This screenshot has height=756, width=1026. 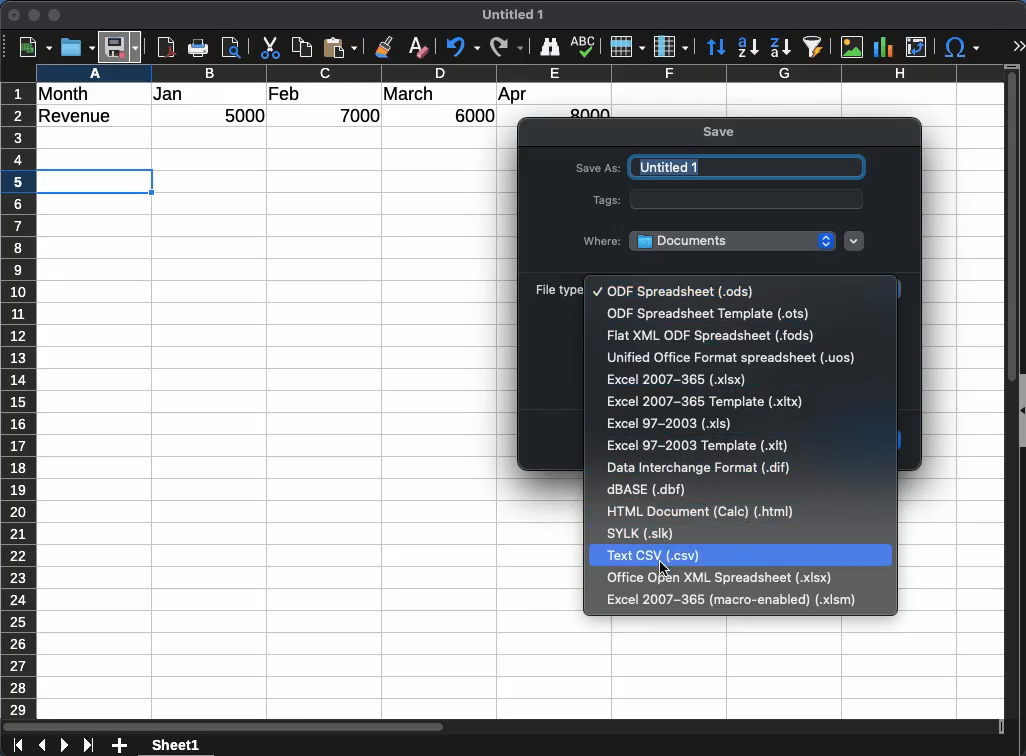 What do you see at coordinates (179, 95) in the screenshot?
I see `jan` at bounding box center [179, 95].